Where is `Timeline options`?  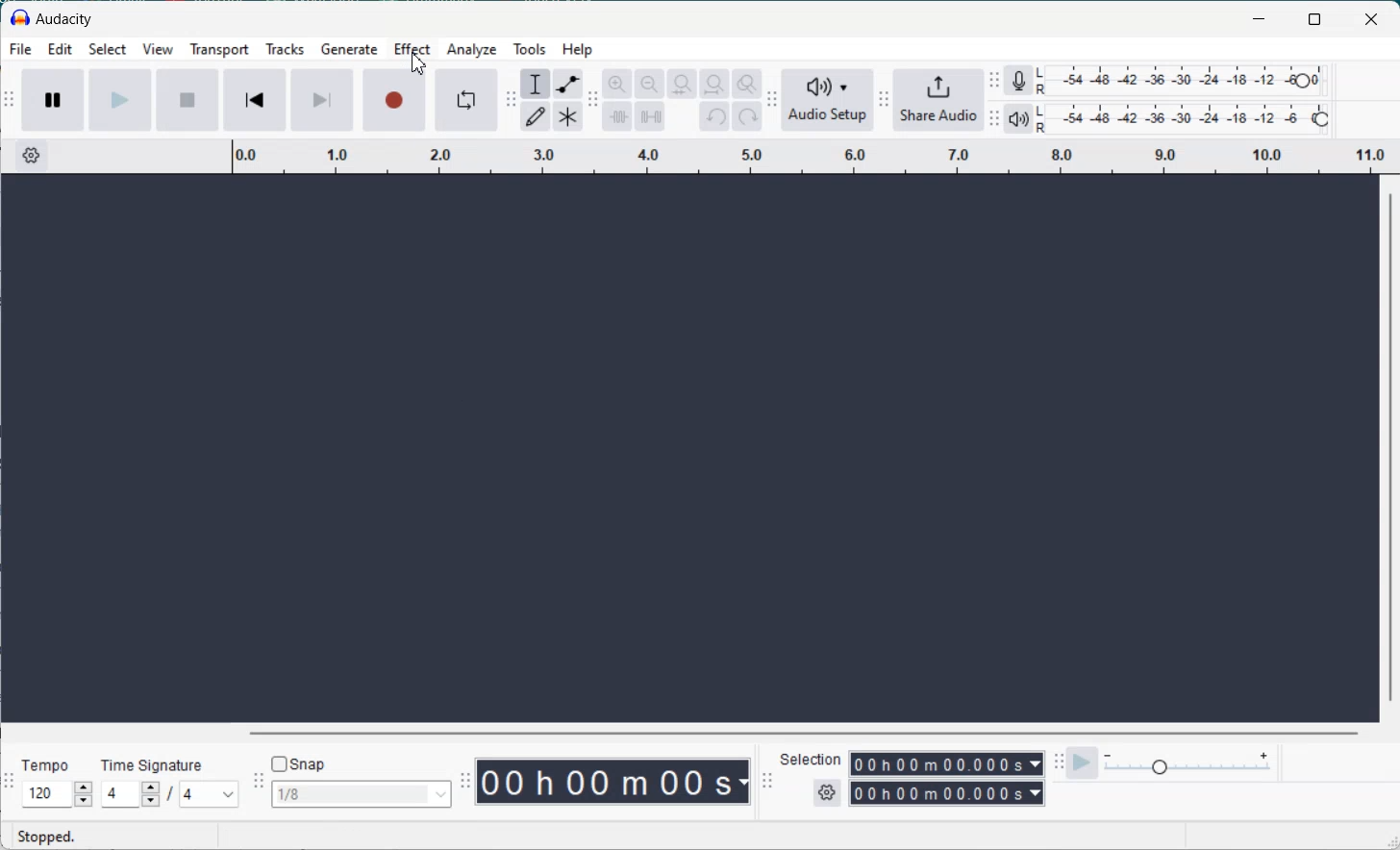 Timeline options is located at coordinates (31, 155).